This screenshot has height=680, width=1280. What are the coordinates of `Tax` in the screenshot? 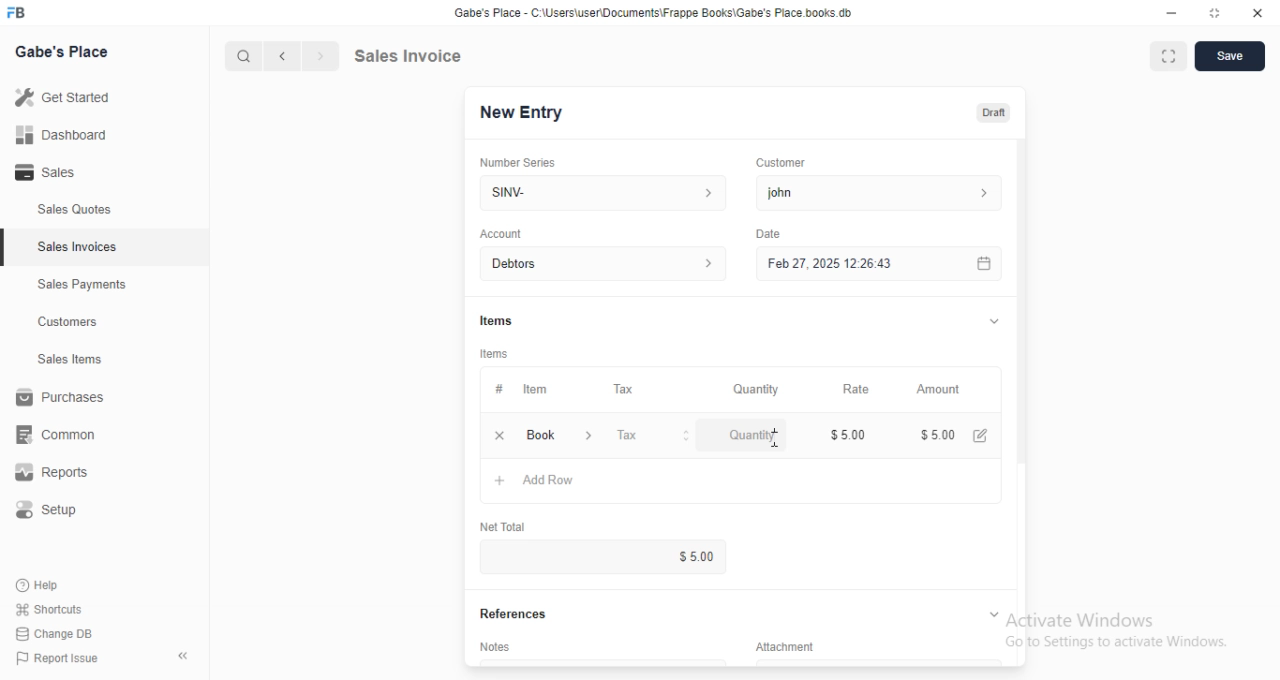 It's located at (656, 436).